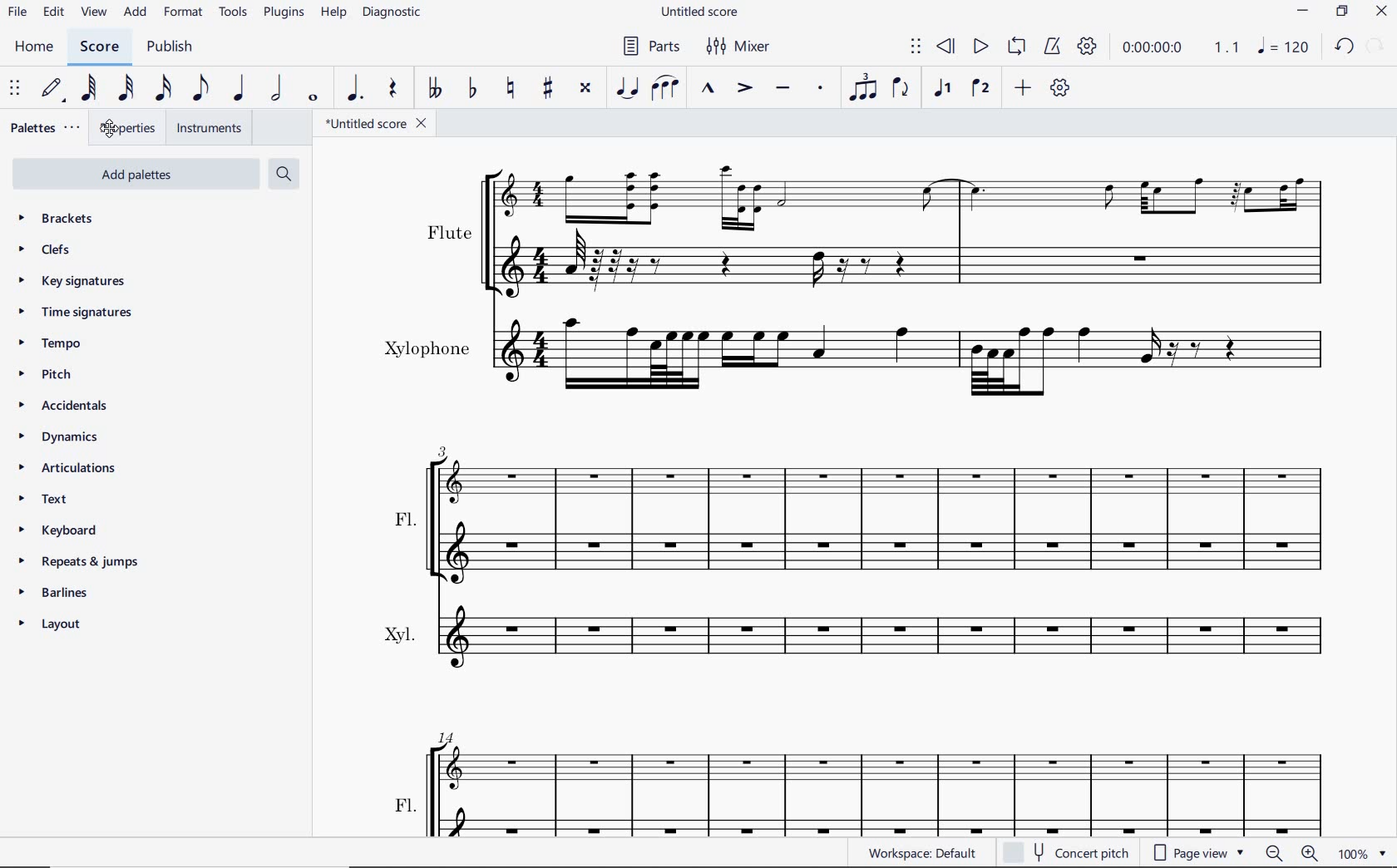 This screenshot has height=868, width=1397. Describe the element at coordinates (62, 436) in the screenshot. I see `dynamics` at that location.